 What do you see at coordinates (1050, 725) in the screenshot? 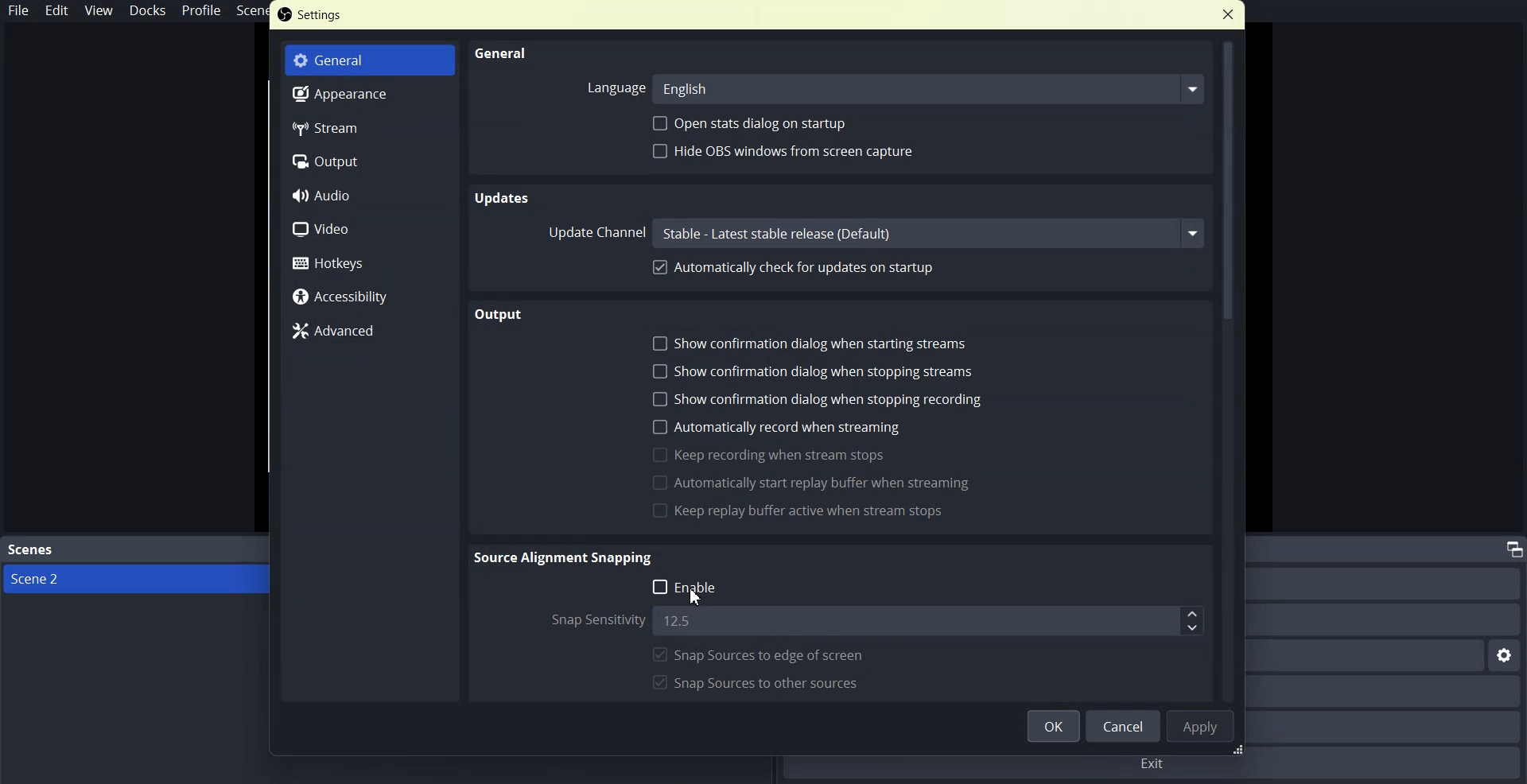
I see `OK` at bounding box center [1050, 725].